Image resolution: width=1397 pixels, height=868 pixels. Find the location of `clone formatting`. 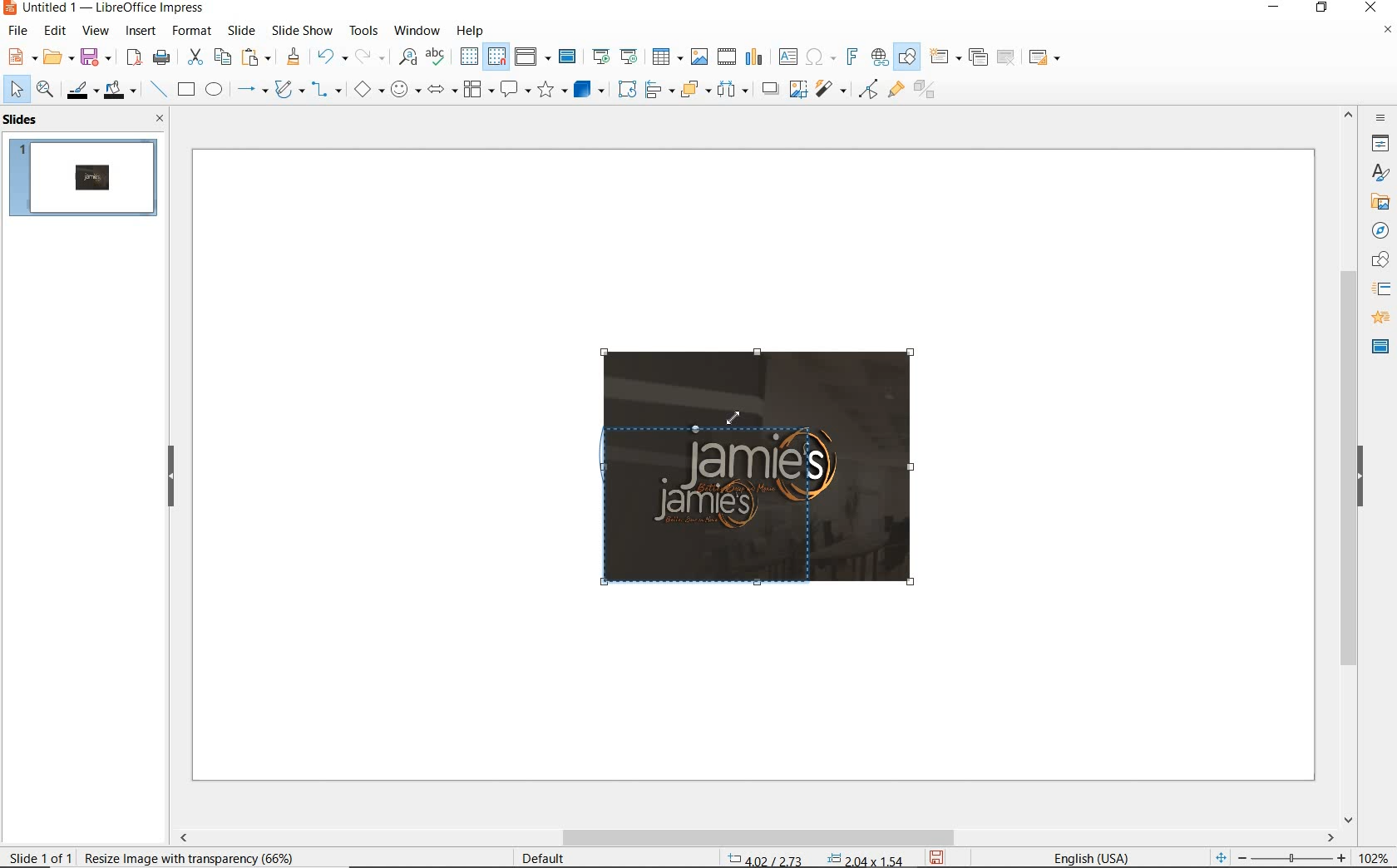

clone formatting is located at coordinates (294, 57).